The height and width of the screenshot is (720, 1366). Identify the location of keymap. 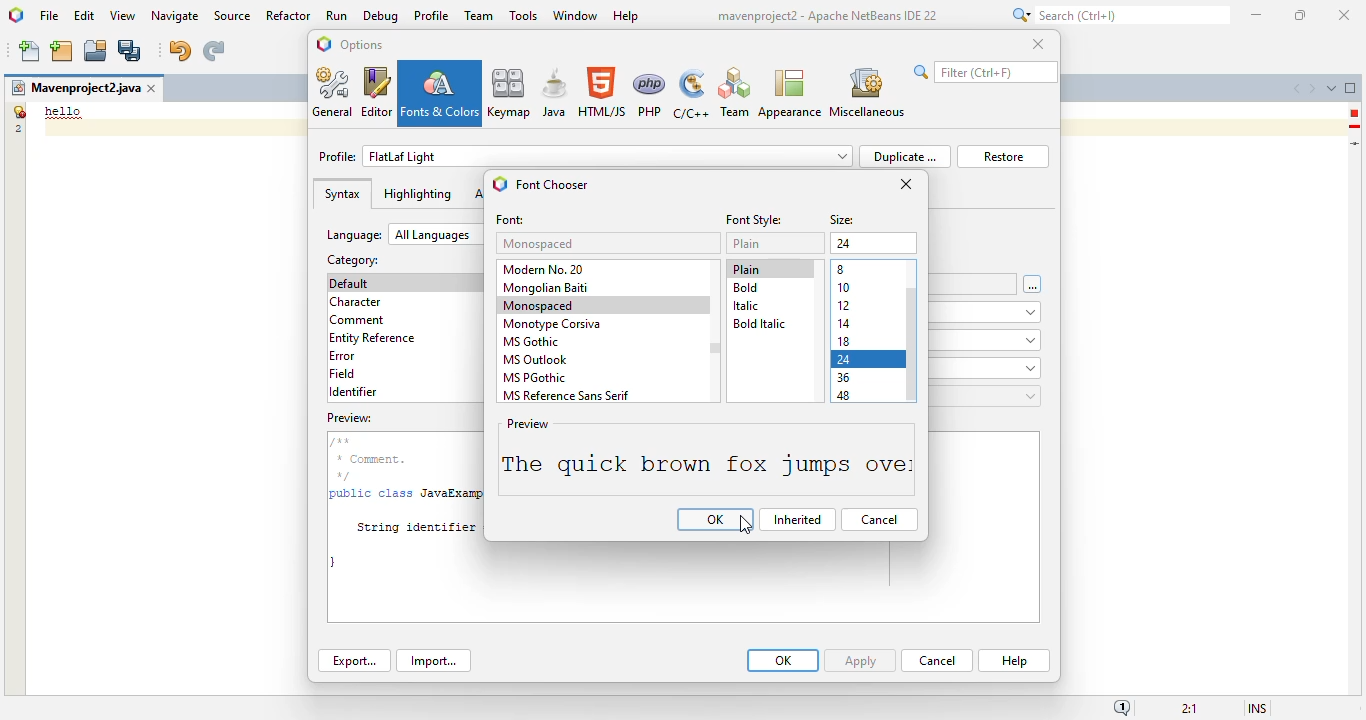
(510, 92).